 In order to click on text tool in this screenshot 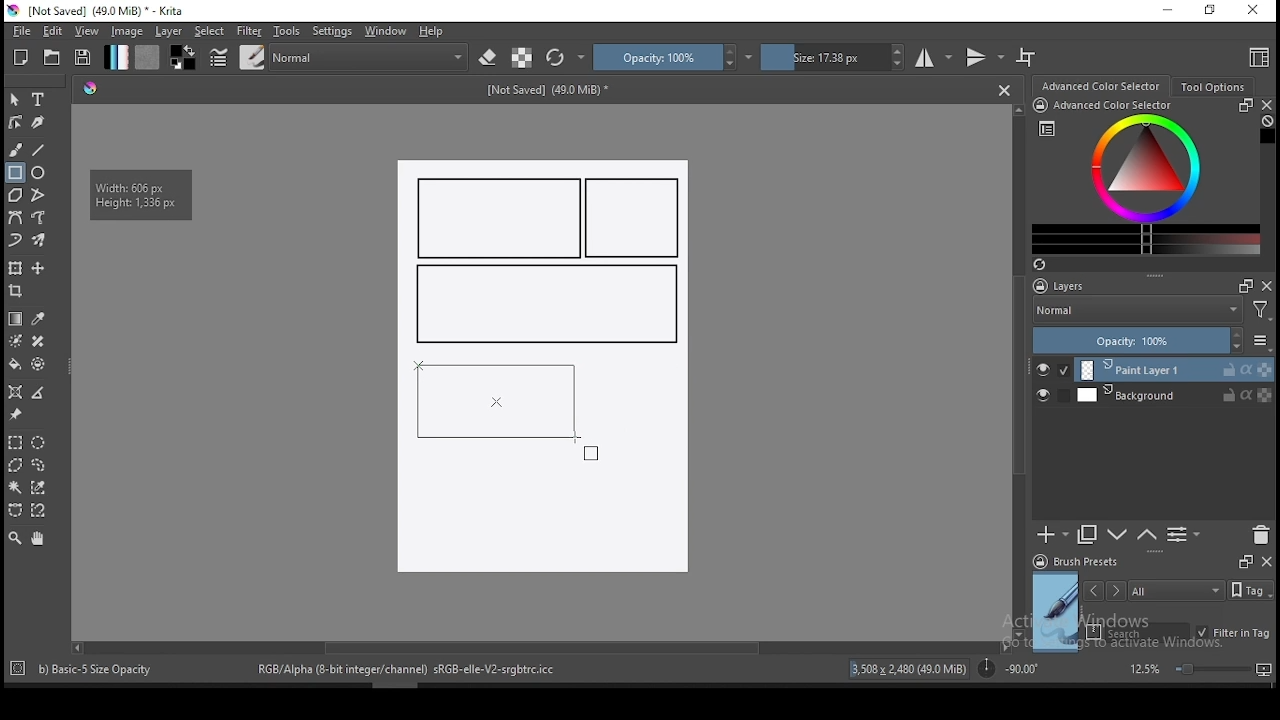, I will do `click(39, 100)`.